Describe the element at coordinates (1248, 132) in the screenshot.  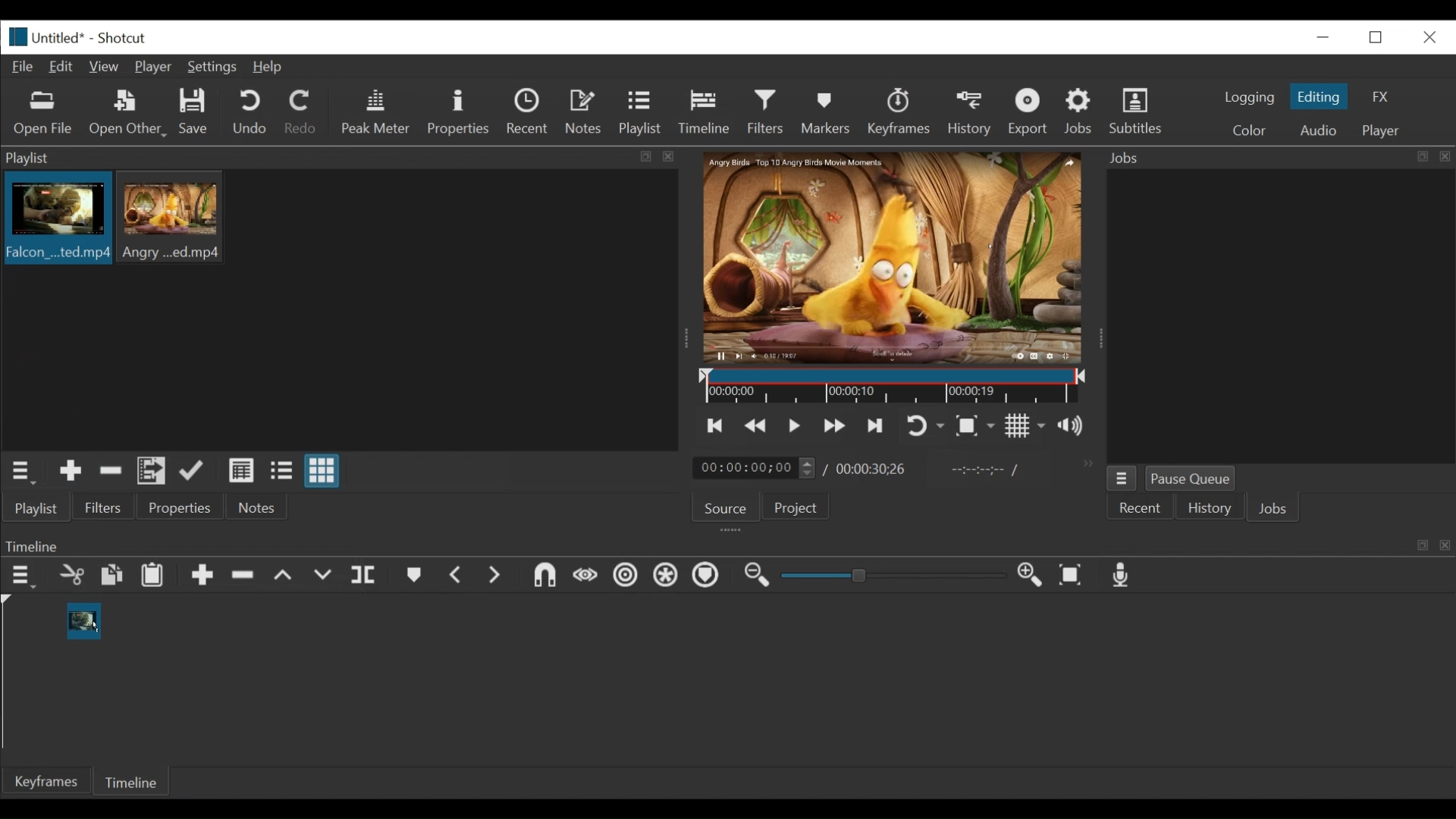
I see `color` at that location.